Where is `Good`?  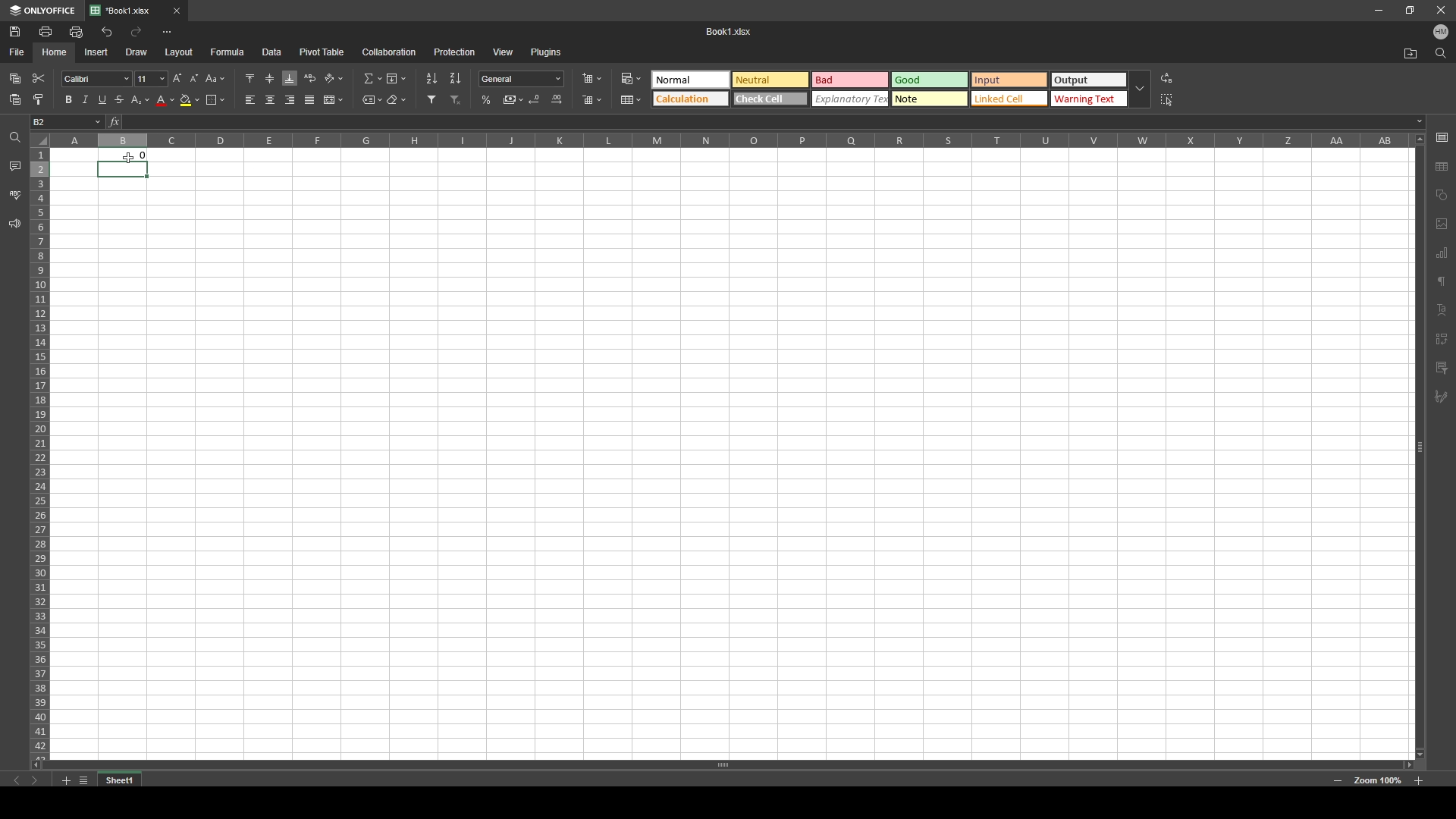
Good is located at coordinates (930, 80).